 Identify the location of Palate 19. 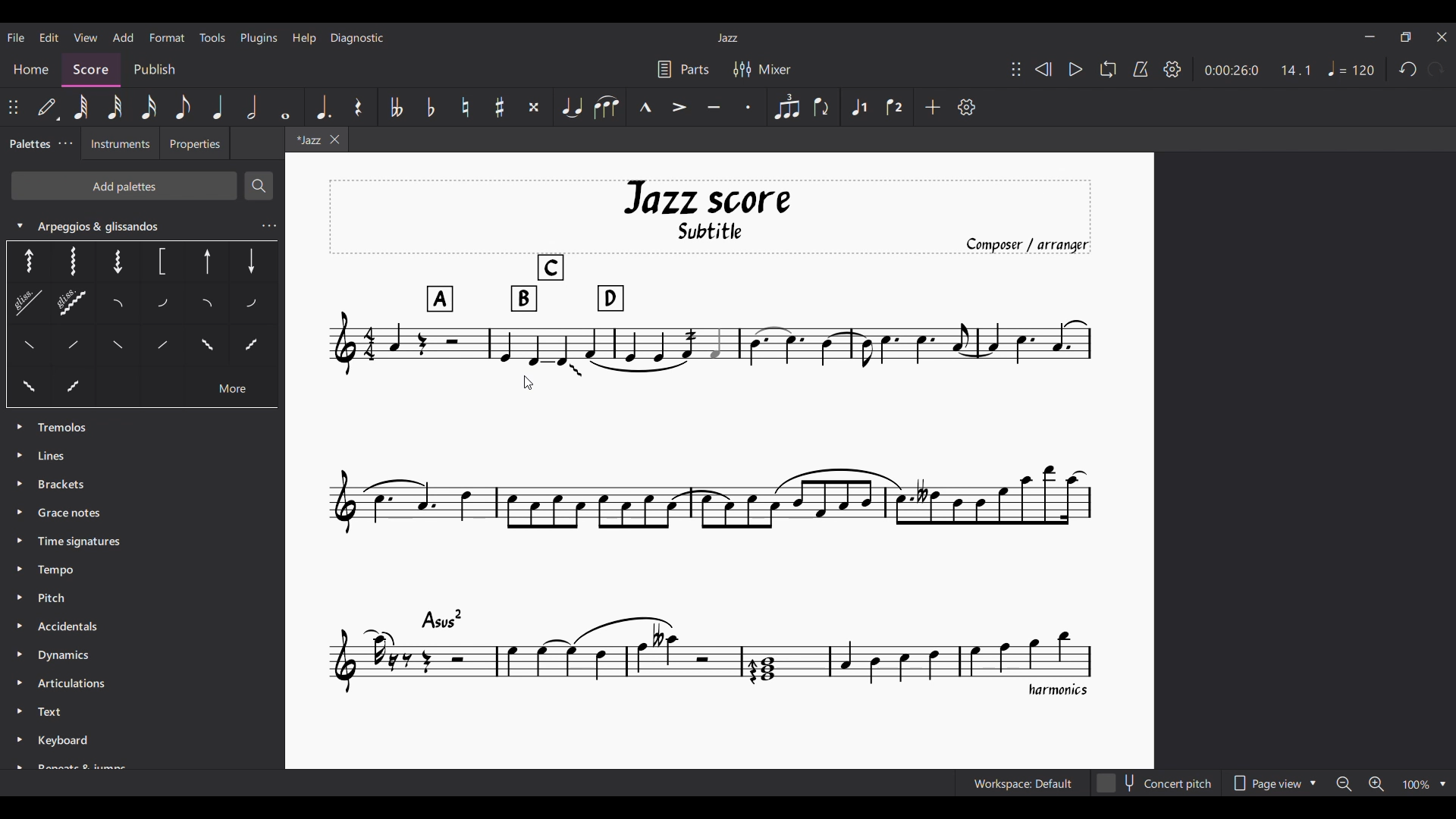
(74, 388).